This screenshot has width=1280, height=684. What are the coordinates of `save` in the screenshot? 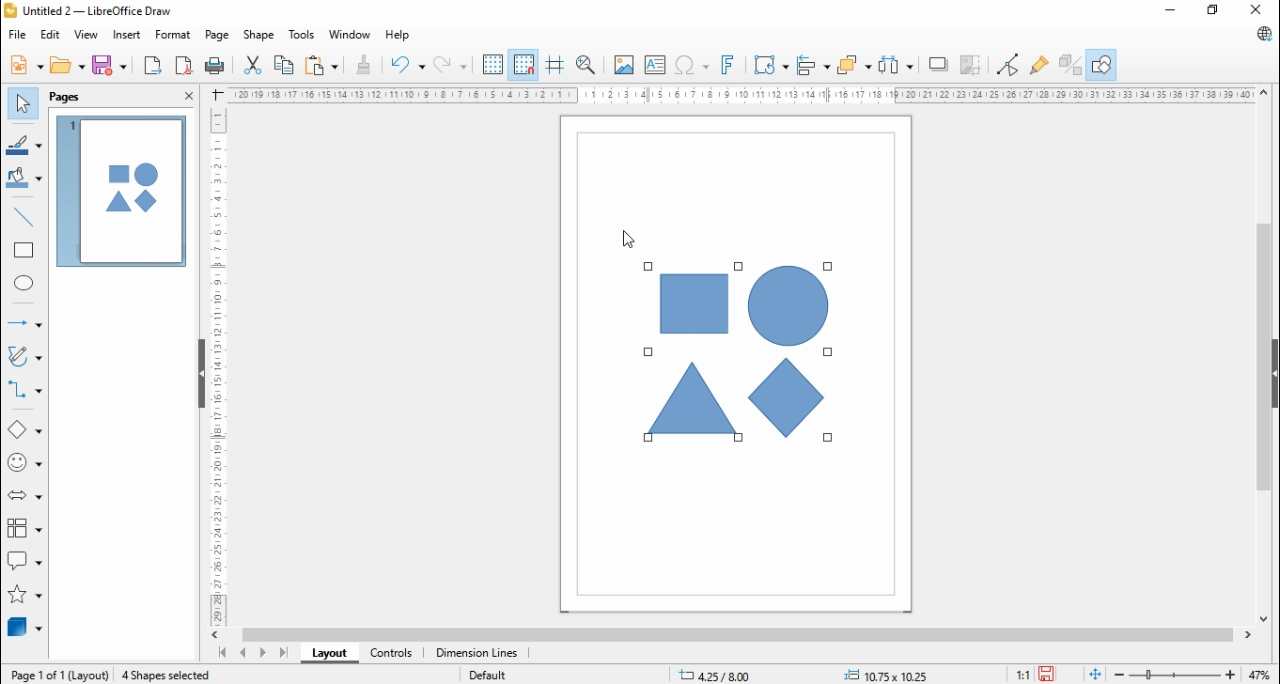 It's located at (110, 65).